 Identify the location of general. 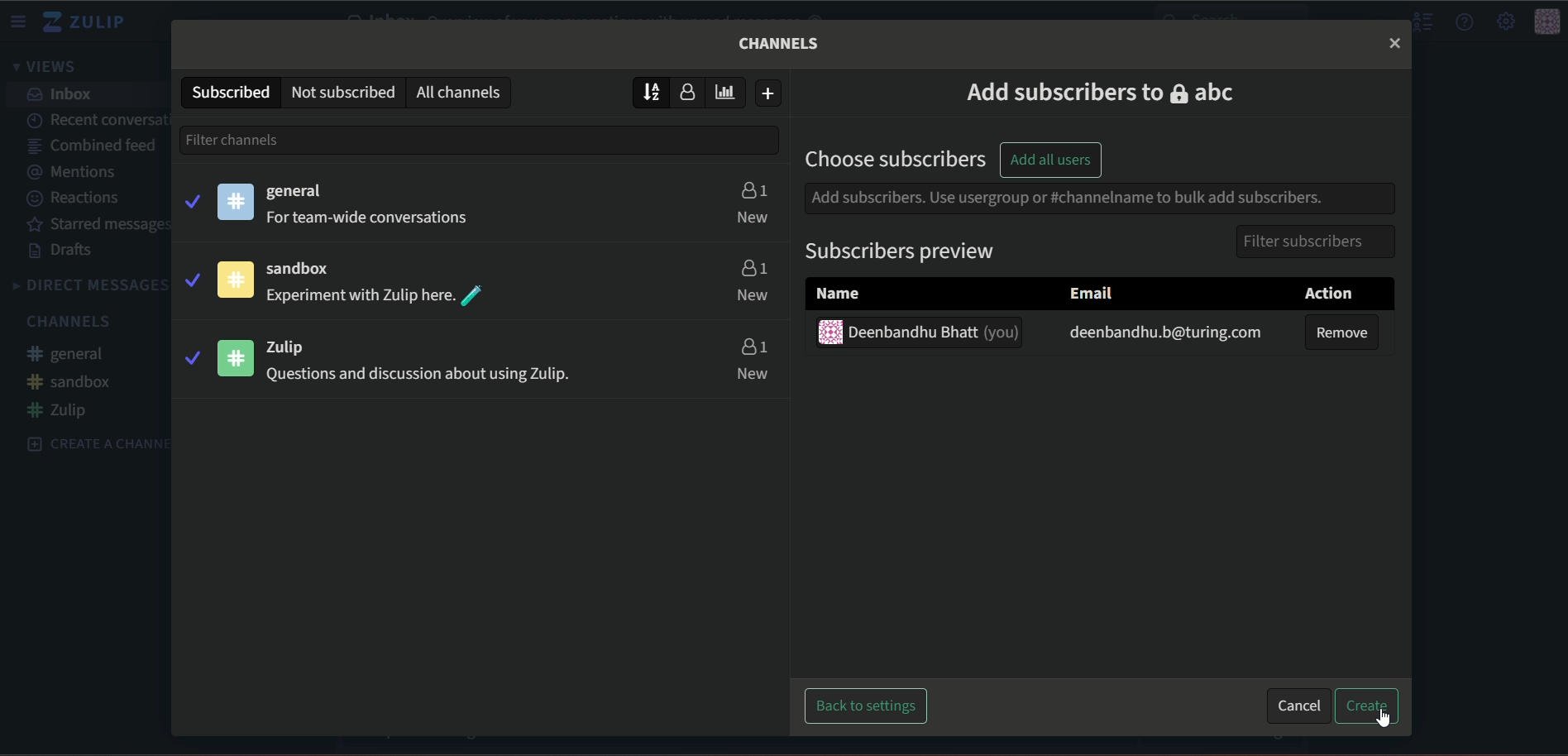
(299, 192).